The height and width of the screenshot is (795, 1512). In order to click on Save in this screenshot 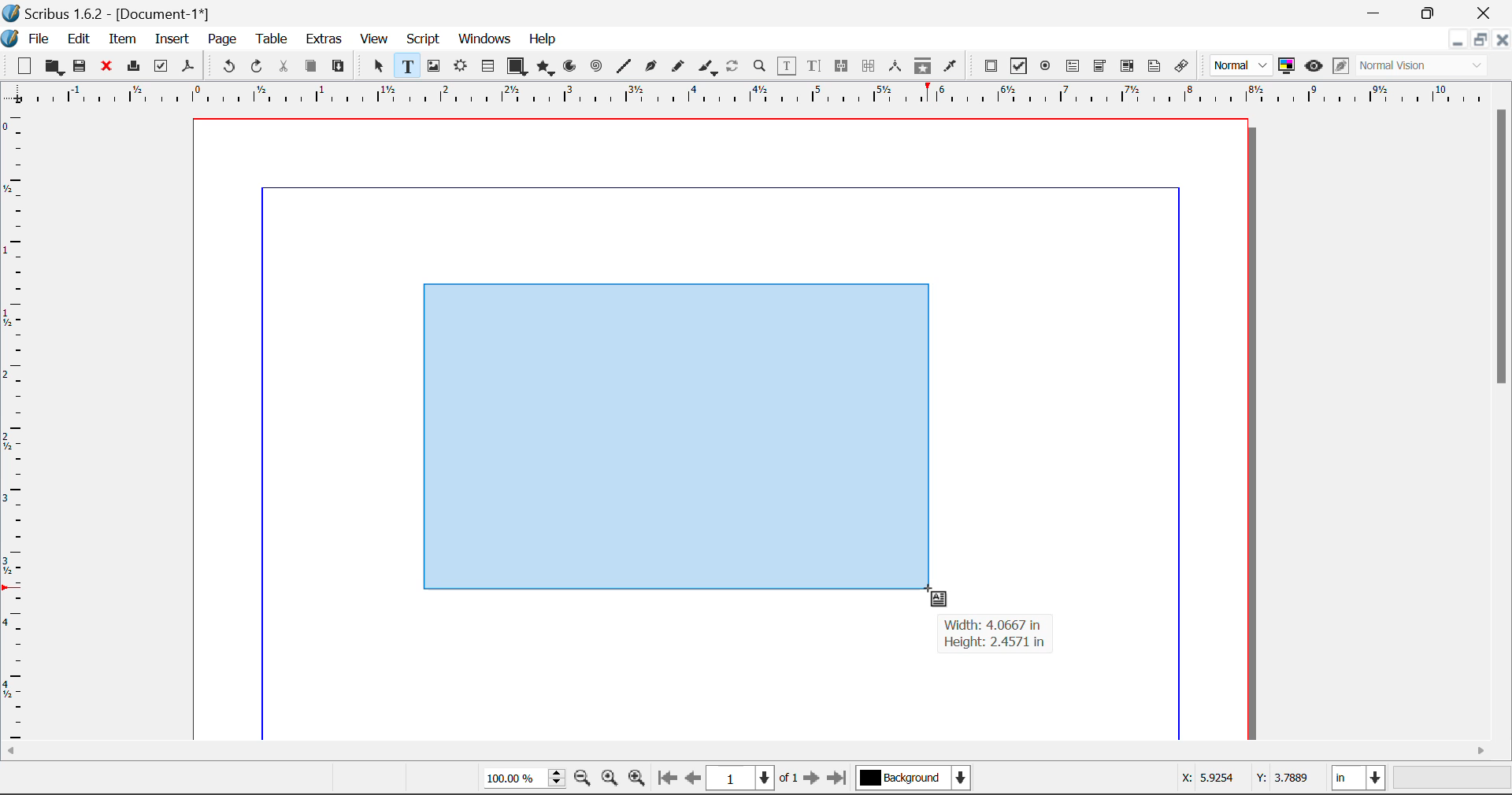, I will do `click(81, 66)`.